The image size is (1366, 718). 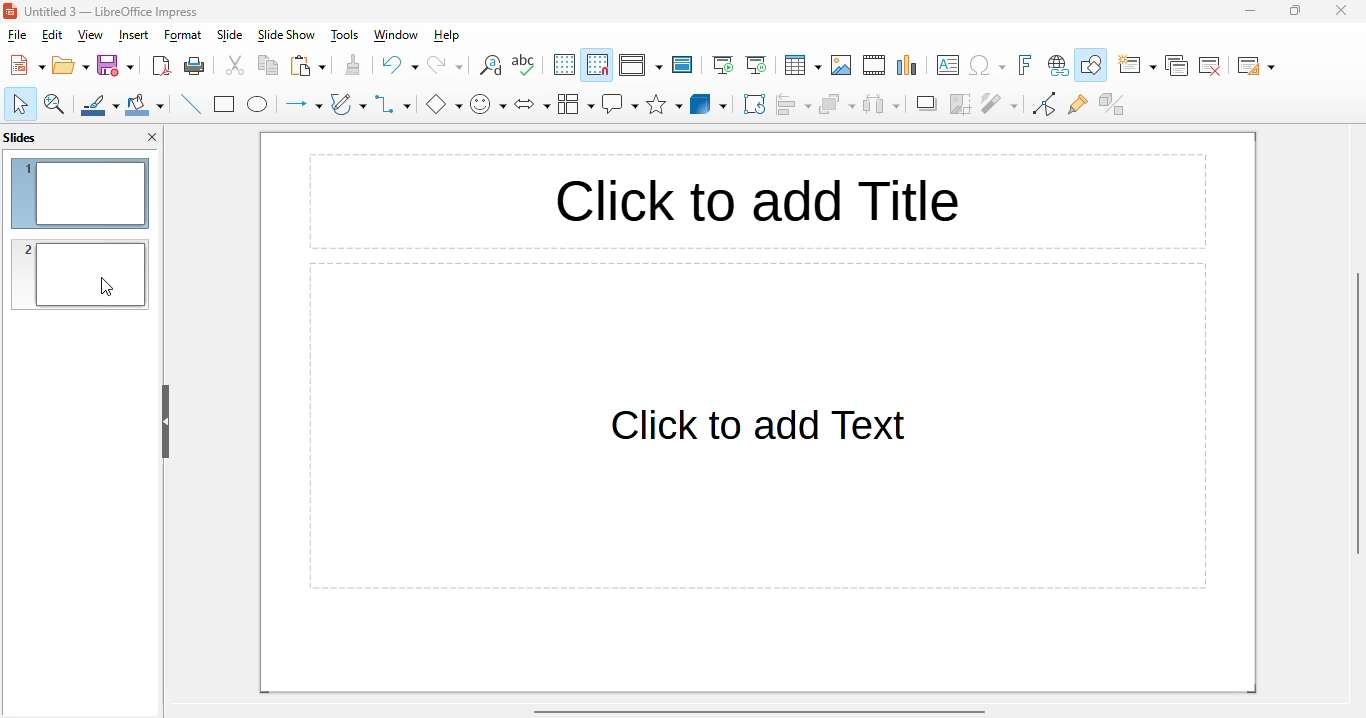 I want to click on select, so click(x=20, y=103).